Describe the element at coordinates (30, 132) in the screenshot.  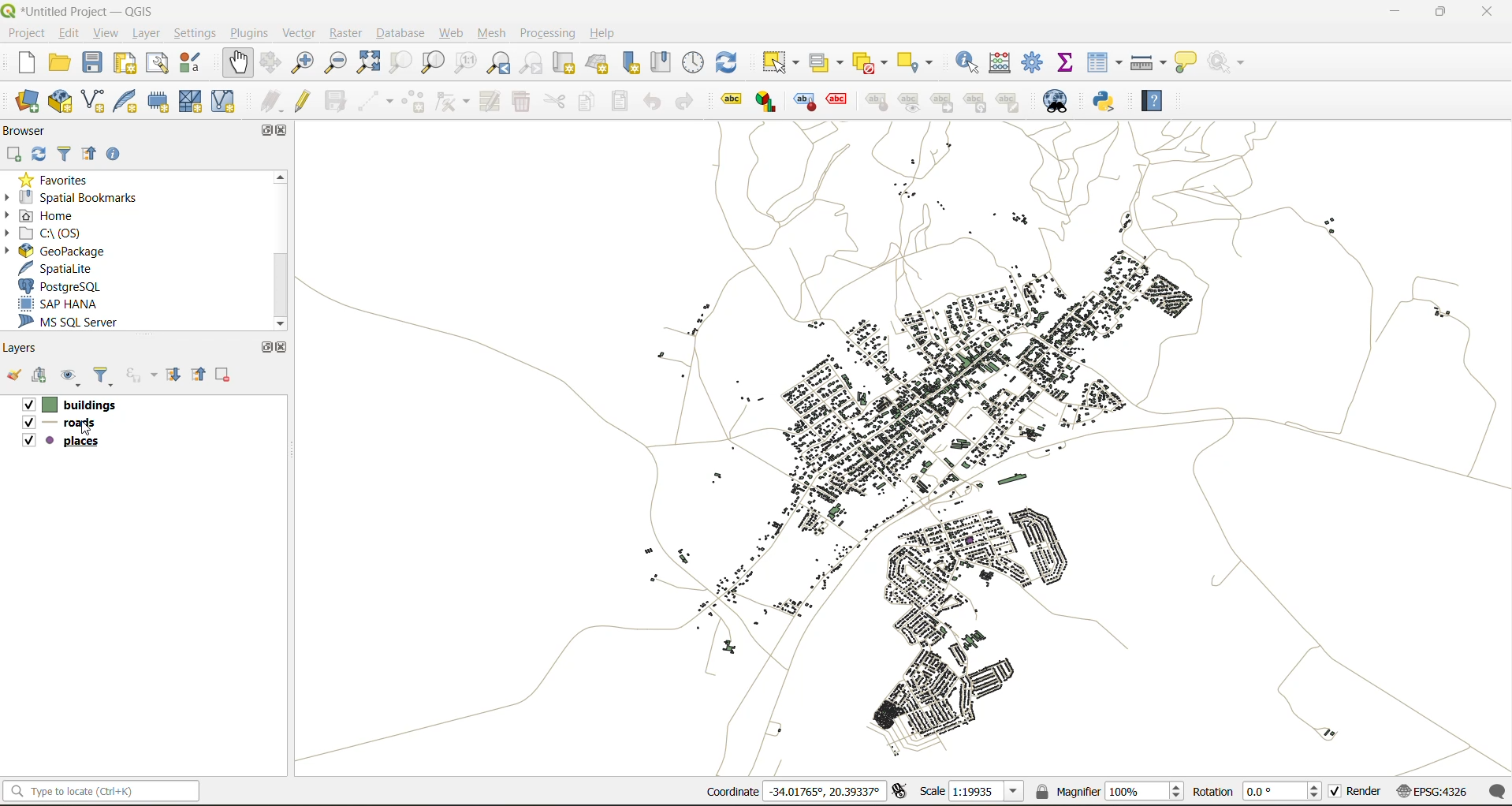
I see `browser` at that location.